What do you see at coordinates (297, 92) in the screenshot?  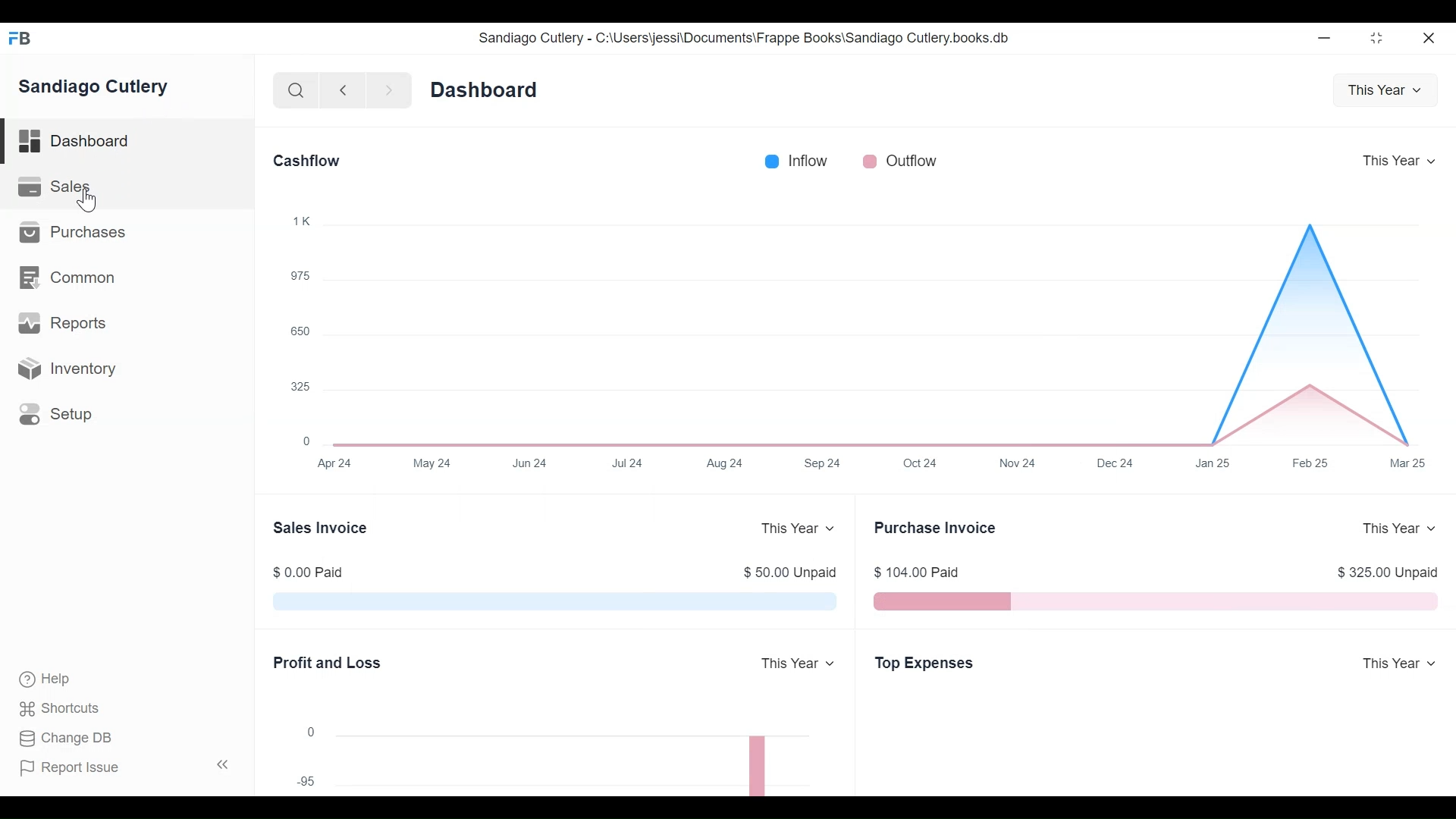 I see `search` at bounding box center [297, 92].